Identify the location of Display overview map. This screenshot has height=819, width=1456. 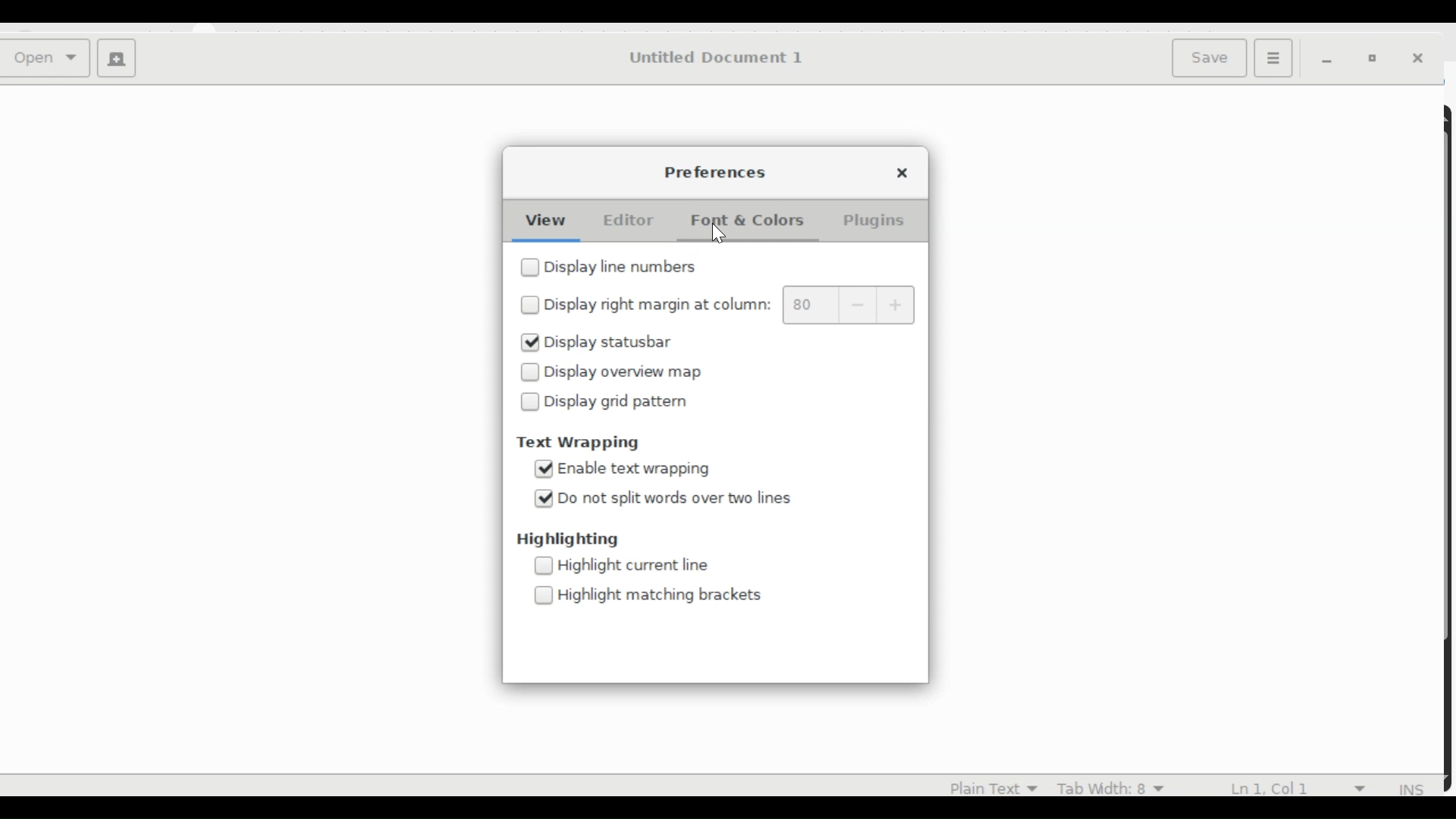
(635, 372).